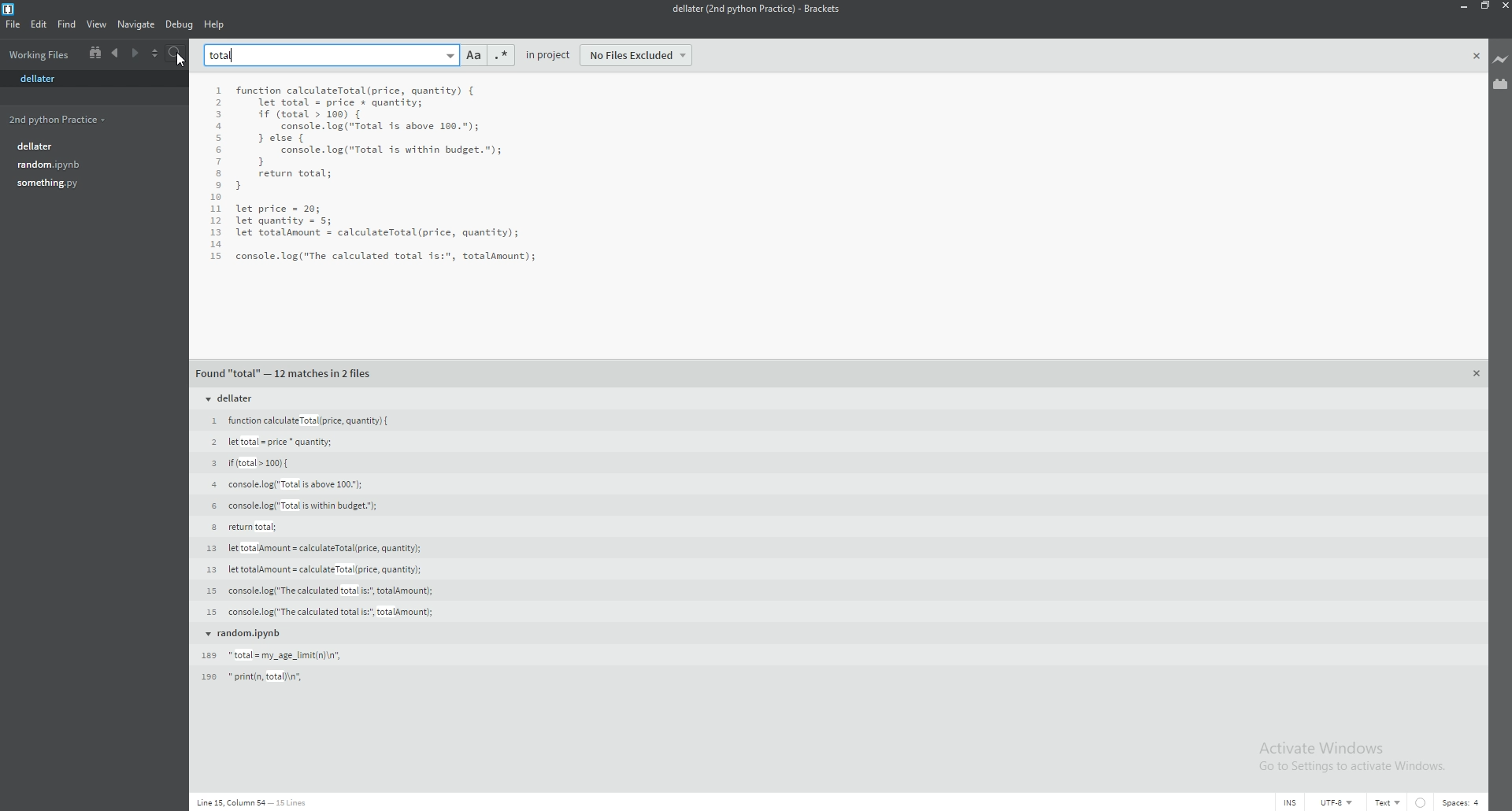  I want to click on 189 "total=my_age_limit(n)\n",, so click(272, 654).